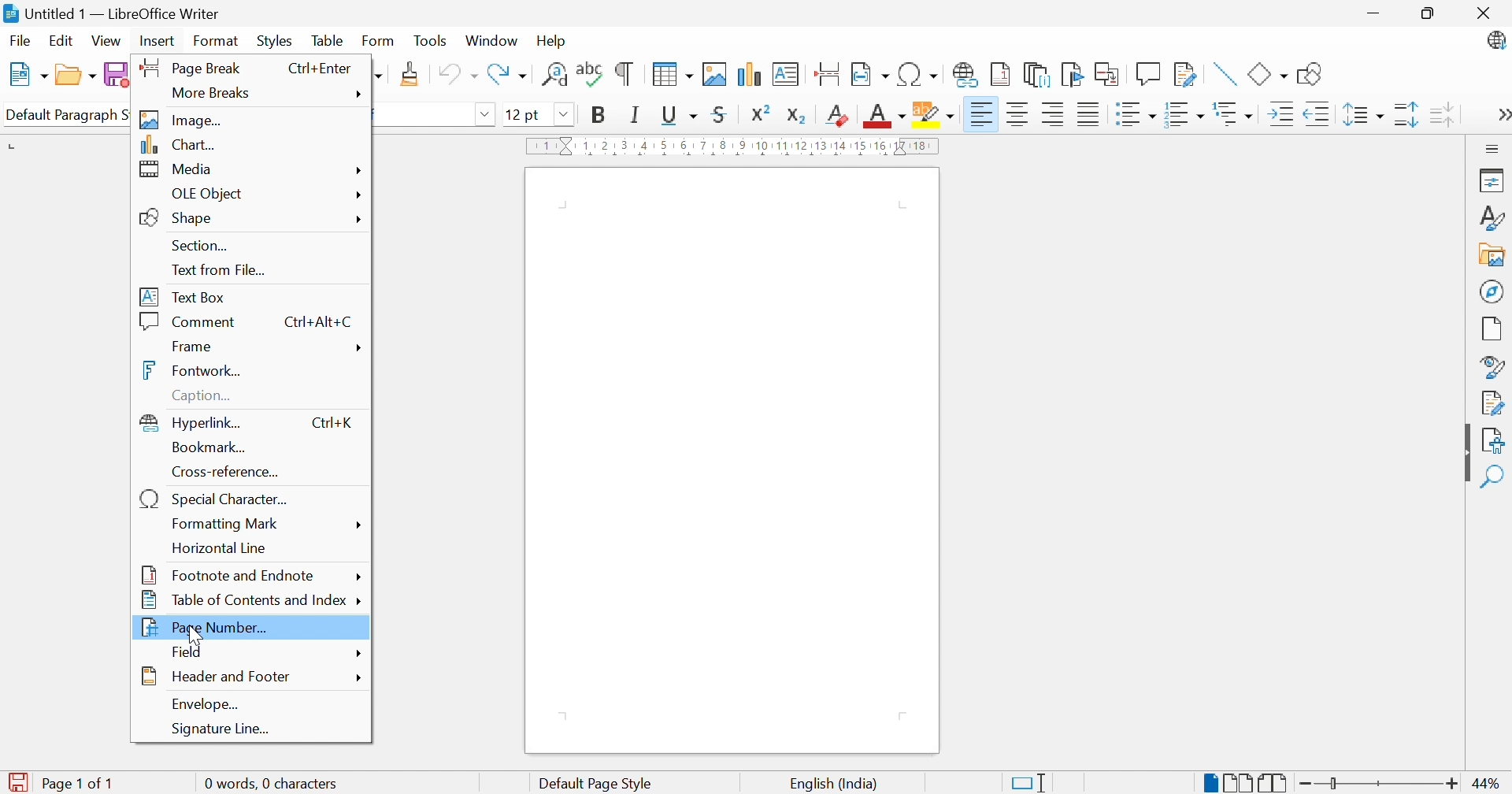 Image resolution: width=1512 pixels, height=794 pixels. I want to click on More breaks, so click(216, 95).